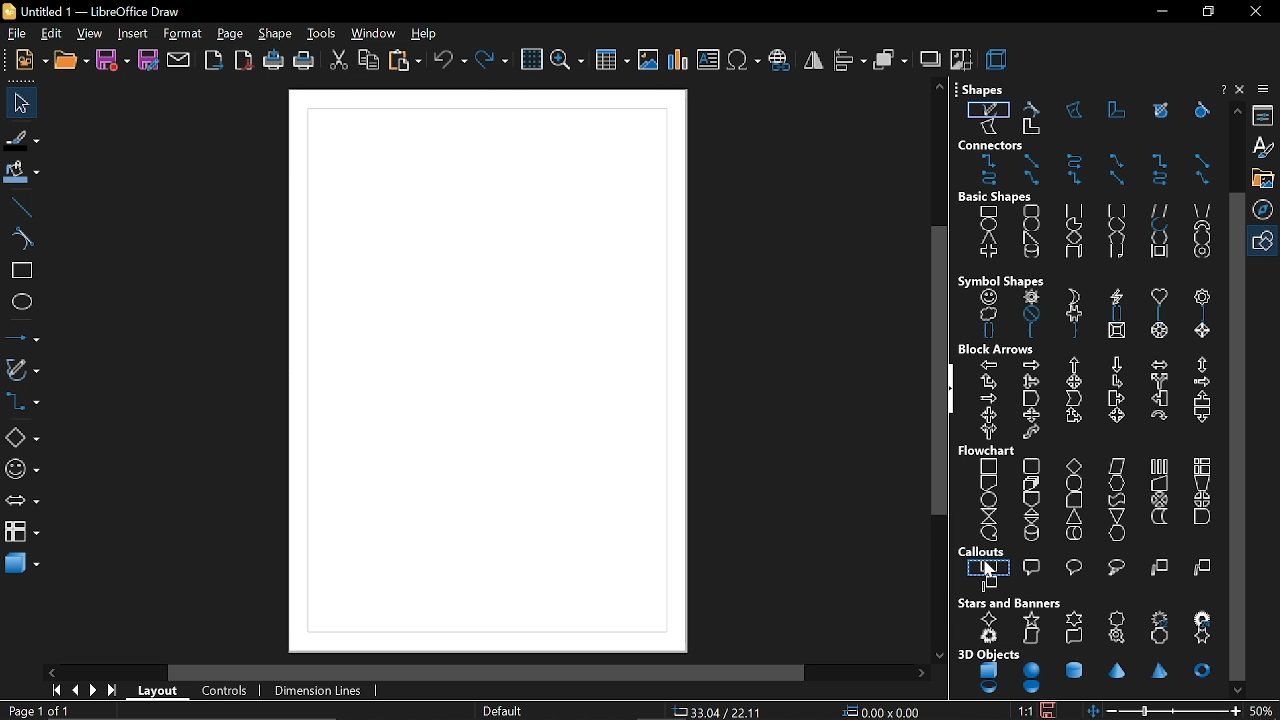 The width and height of the screenshot is (1280, 720). What do you see at coordinates (1265, 149) in the screenshot?
I see `styles` at bounding box center [1265, 149].